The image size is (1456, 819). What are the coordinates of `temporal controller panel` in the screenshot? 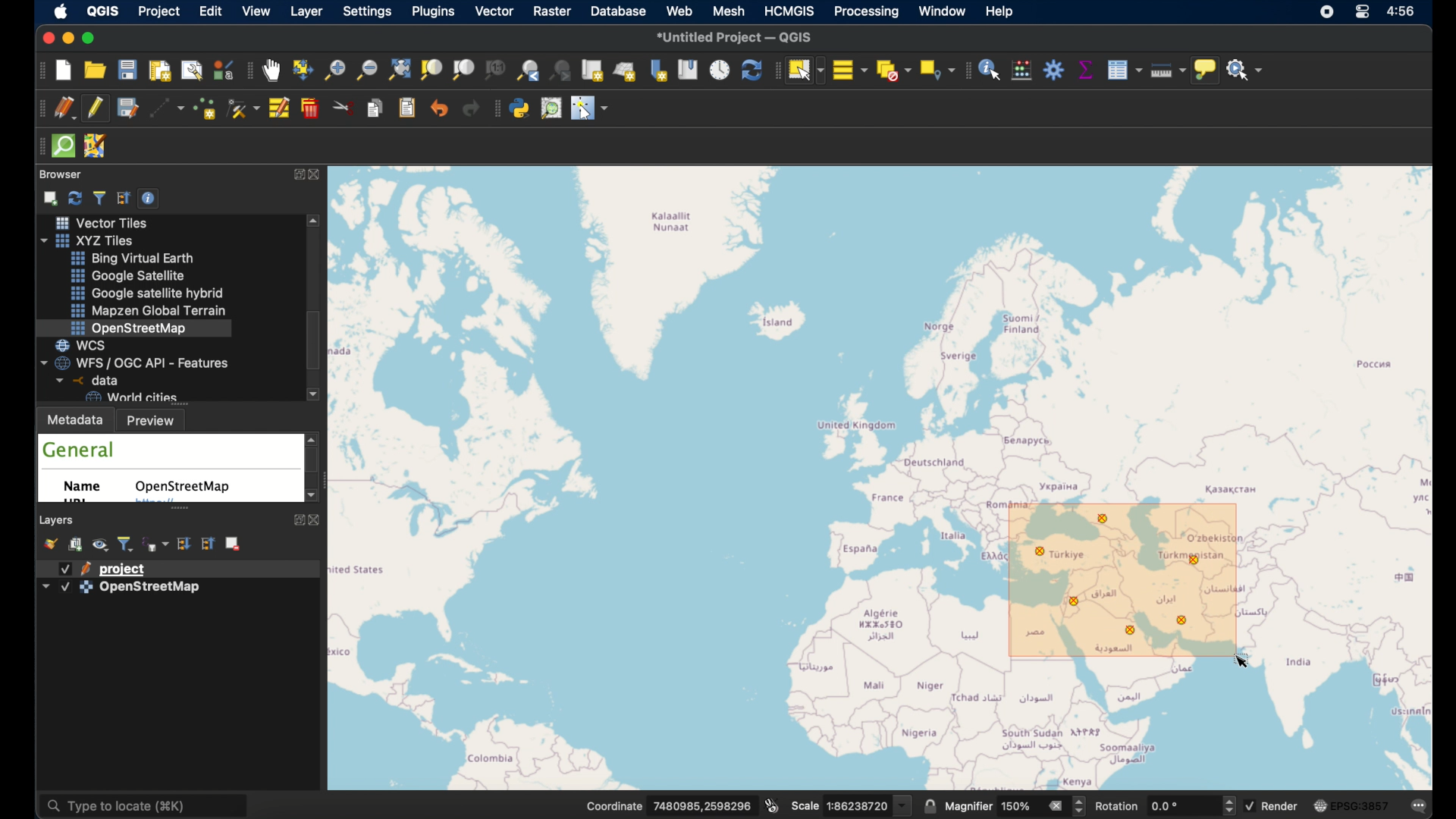 It's located at (720, 69).